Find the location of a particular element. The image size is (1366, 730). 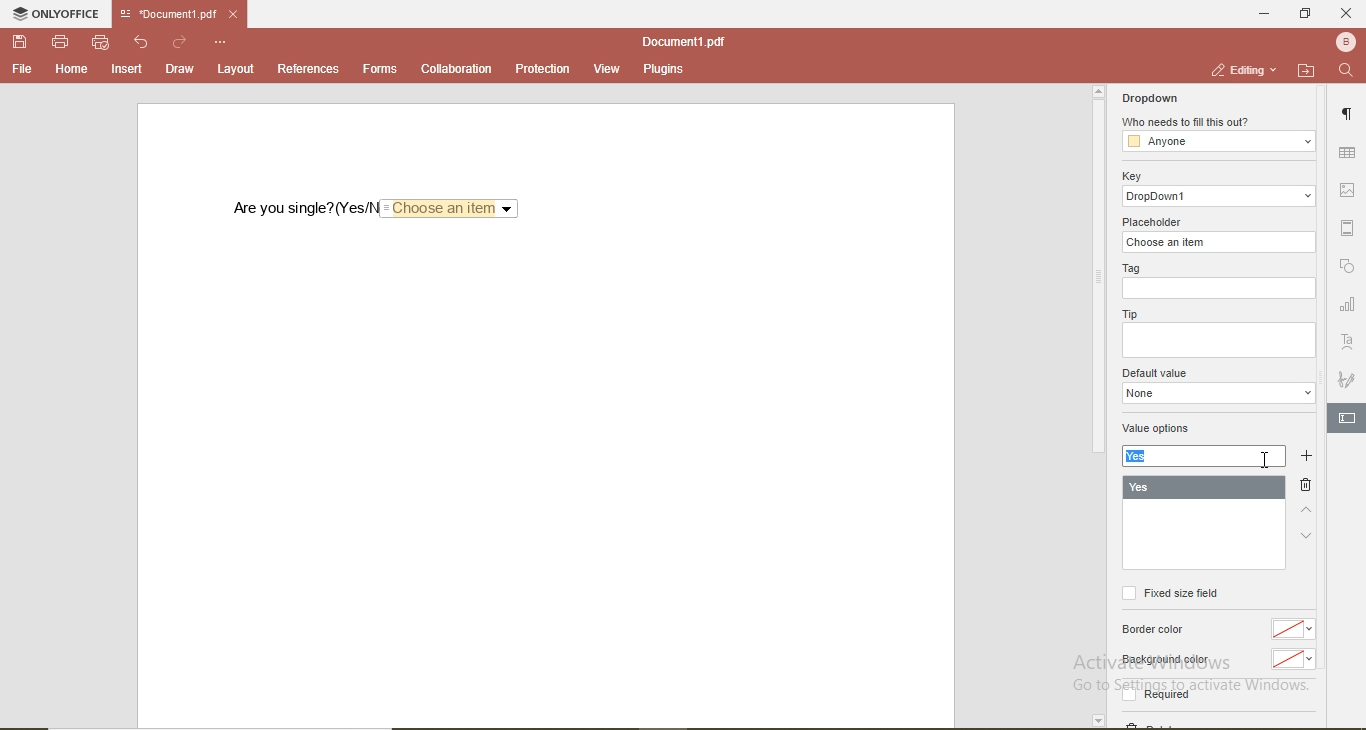

add is located at coordinates (1309, 458).